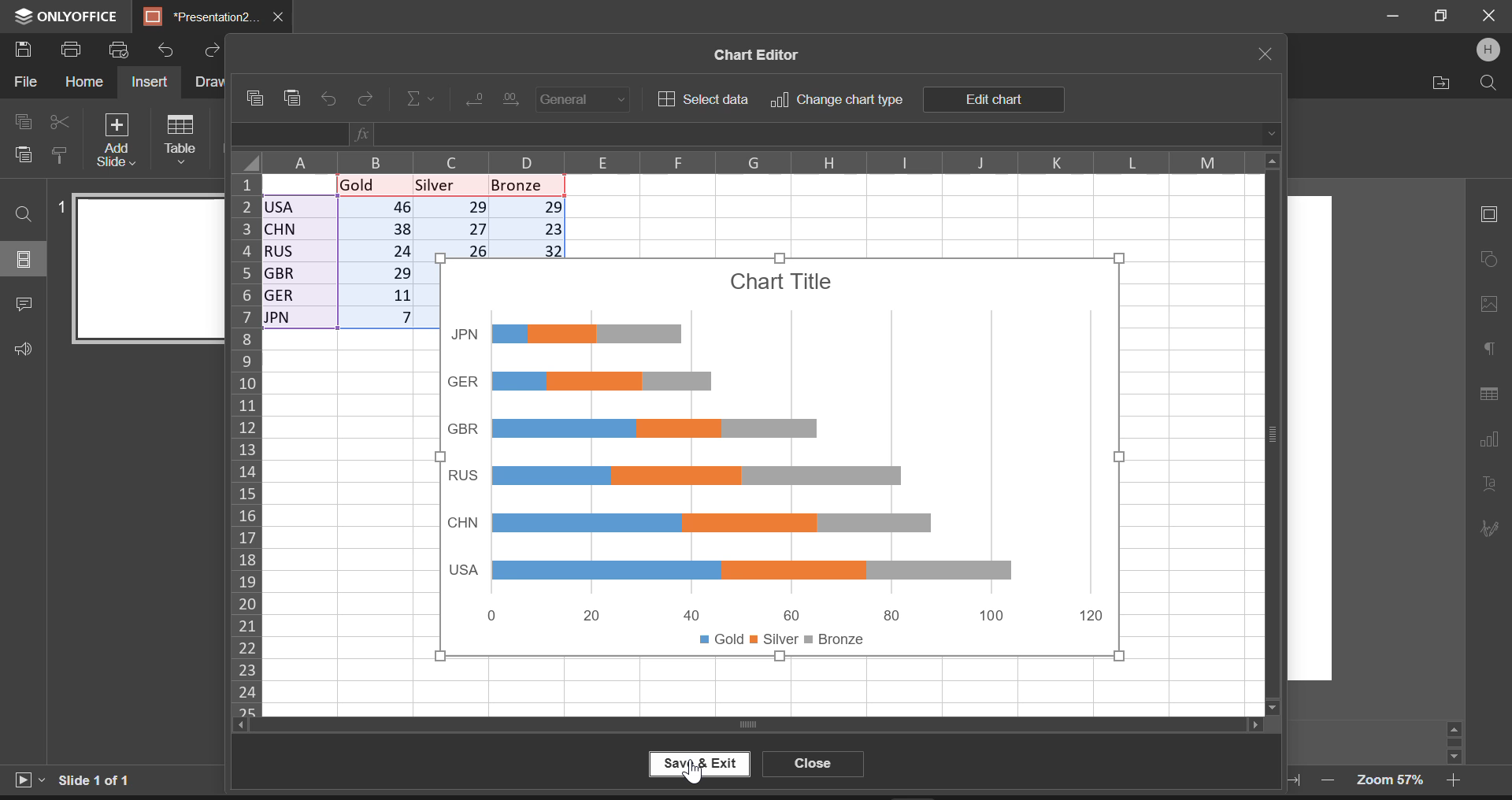  What do you see at coordinates (150, 80) in the screenshot?
I see `Insert` at bounding box center [150, 80].